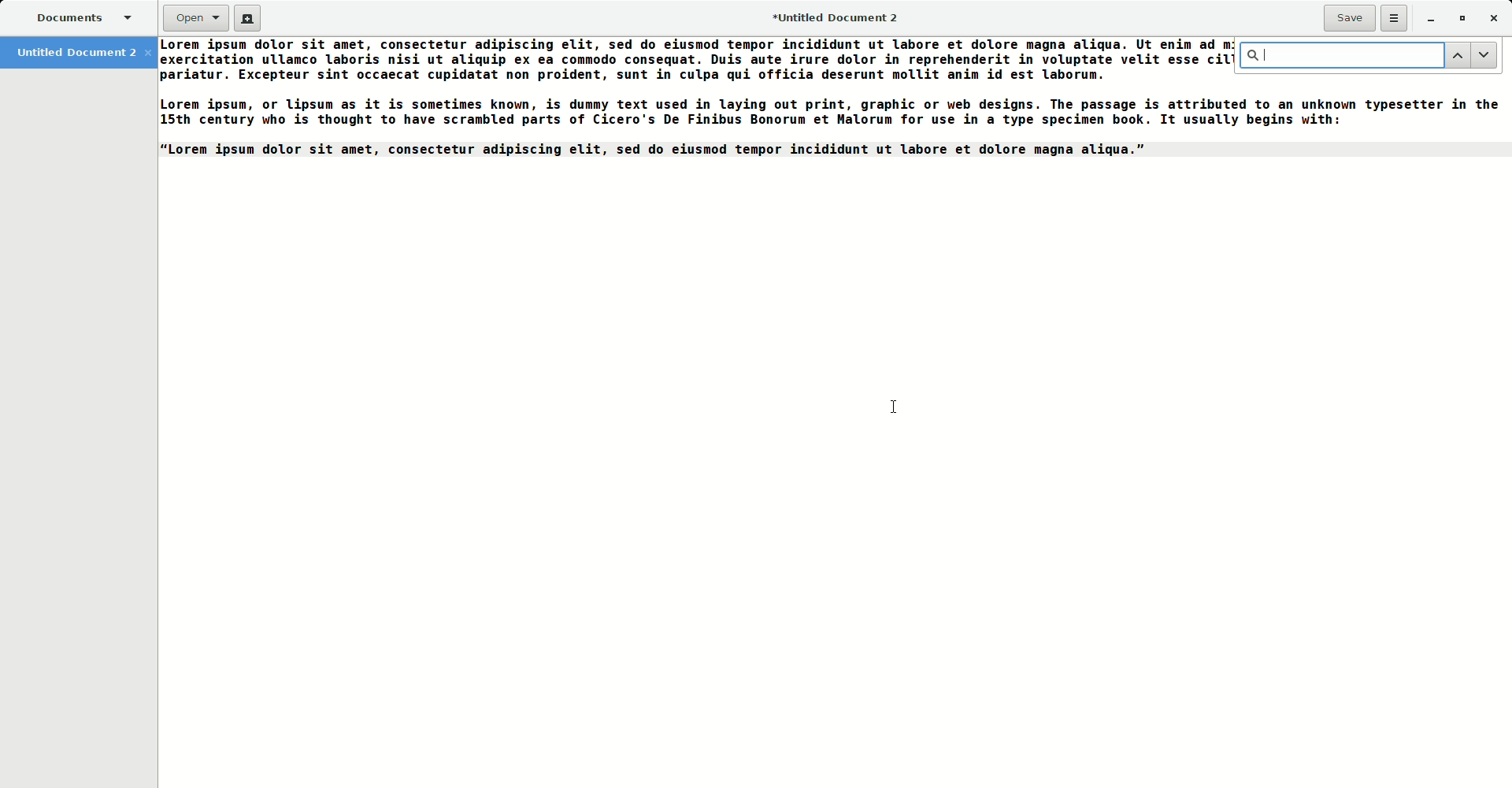 The image size is (1512, 788). What do you see at coordinates (833, 17) in the screenshot?
I see `Untitled Document 2` at bounding box center [833, 17].